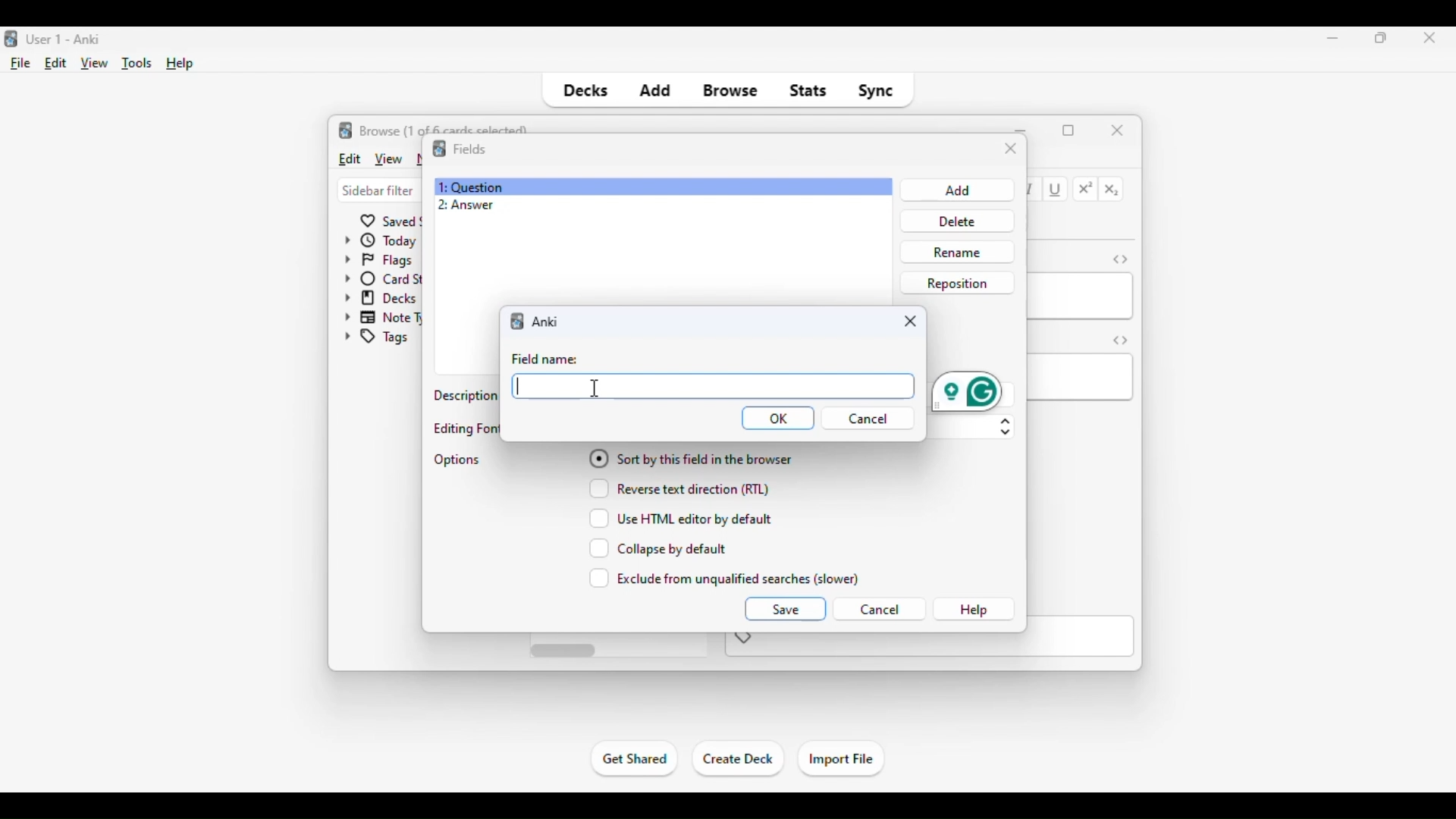 The image size is (1456, 819). Describe the element at coordinates (879, 610) in the screenshot. I see `cancel` at that location.